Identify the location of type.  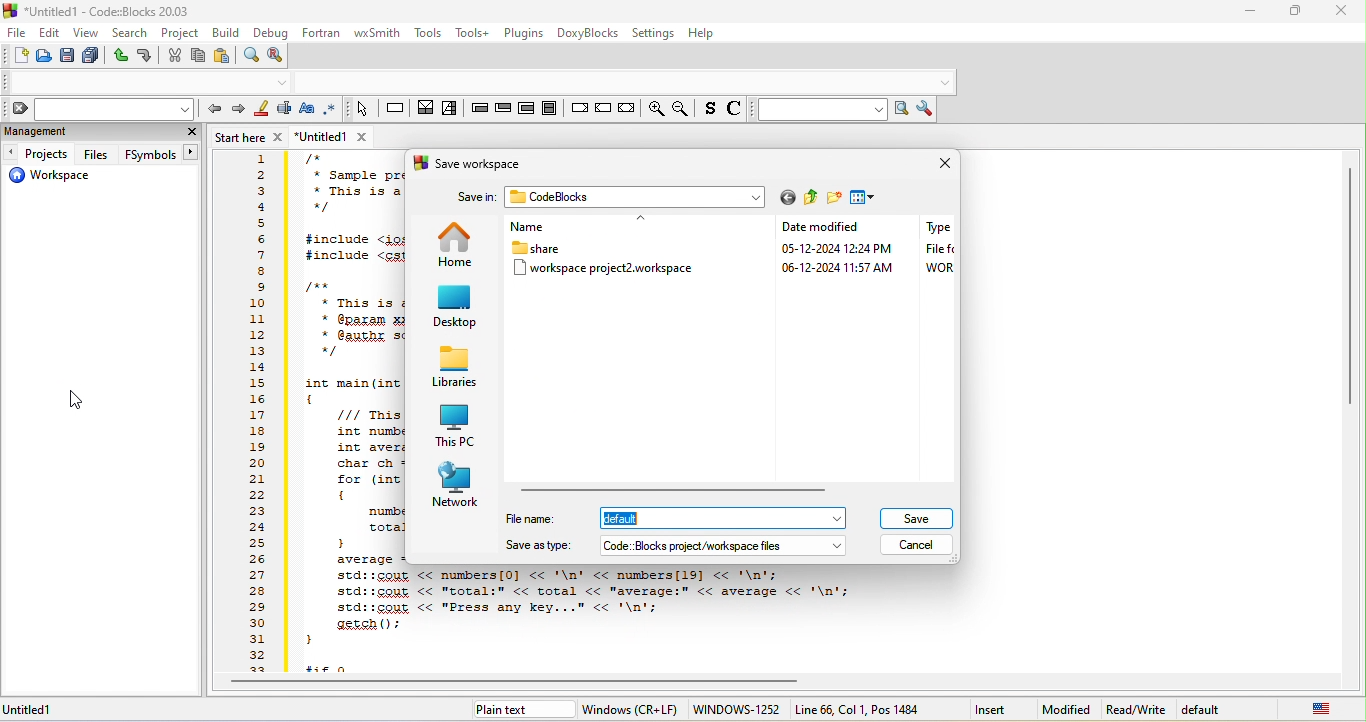
(935, 250).